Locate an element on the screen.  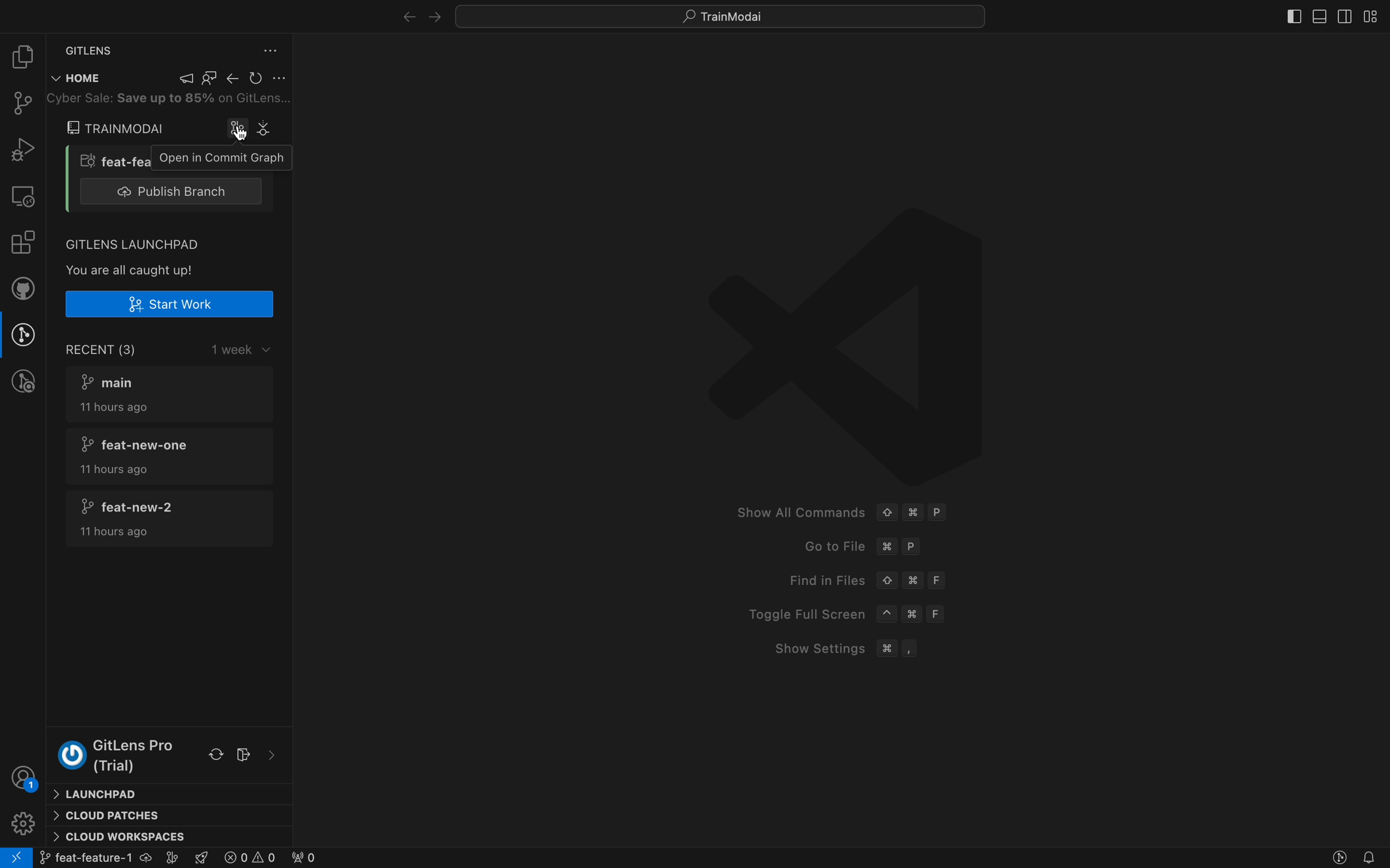
cloud pathches is located at coordinates (170, 816).